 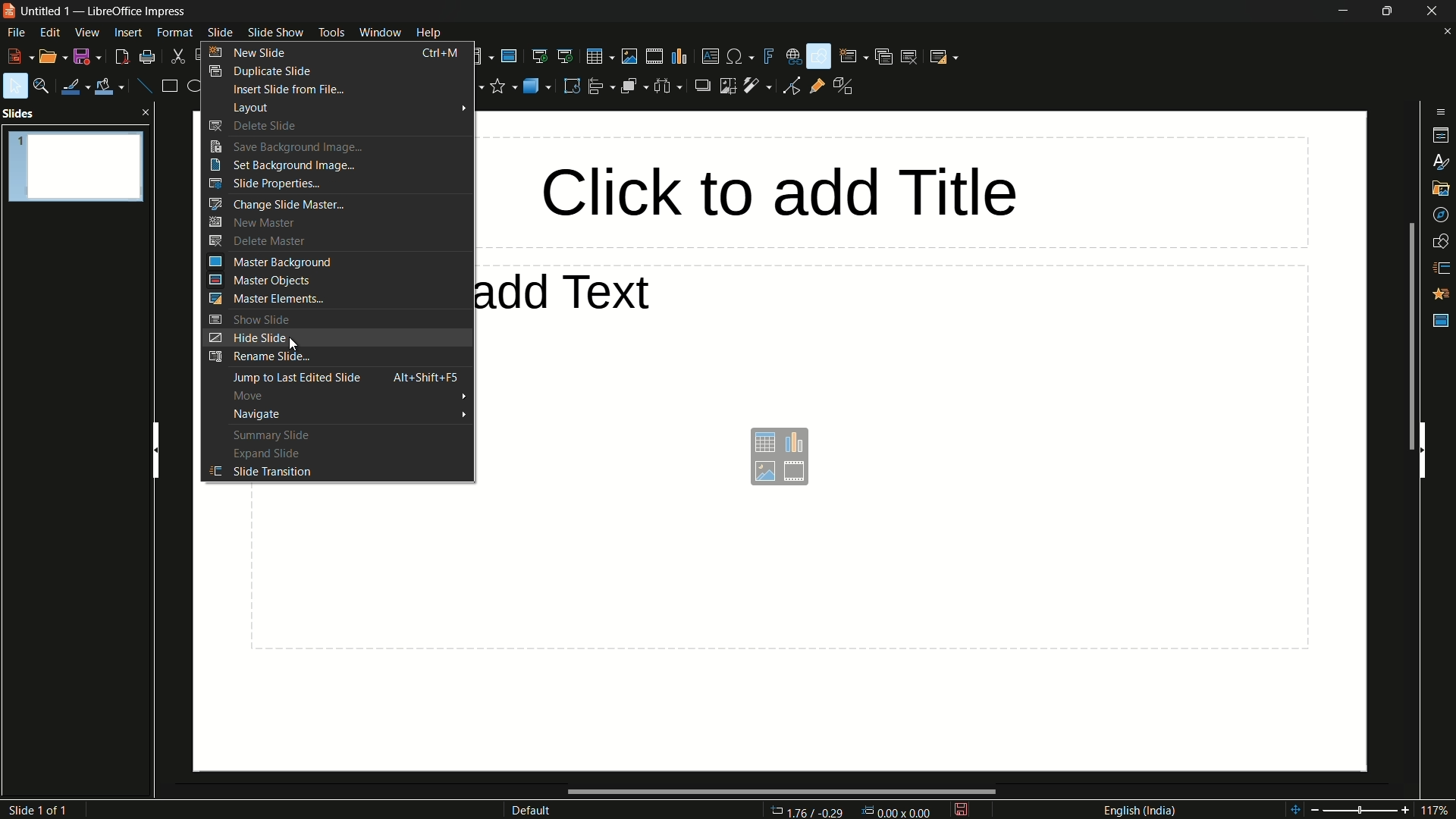 What do you see at coordinates (809, 811) in the screenshot?
I see `cursor position` at bounding box center [809, 811].